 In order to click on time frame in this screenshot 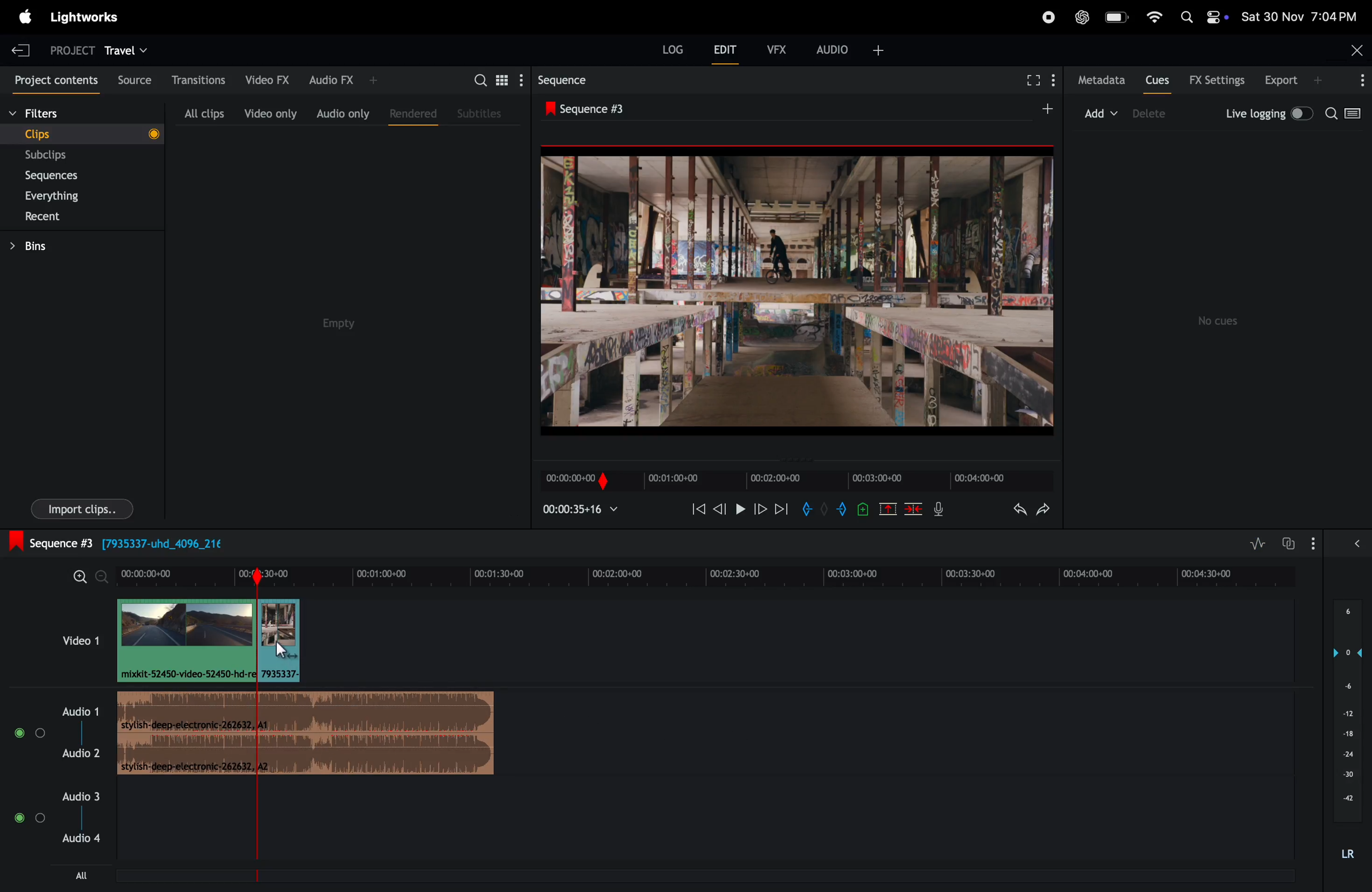, I will do `click(795, 480)`.